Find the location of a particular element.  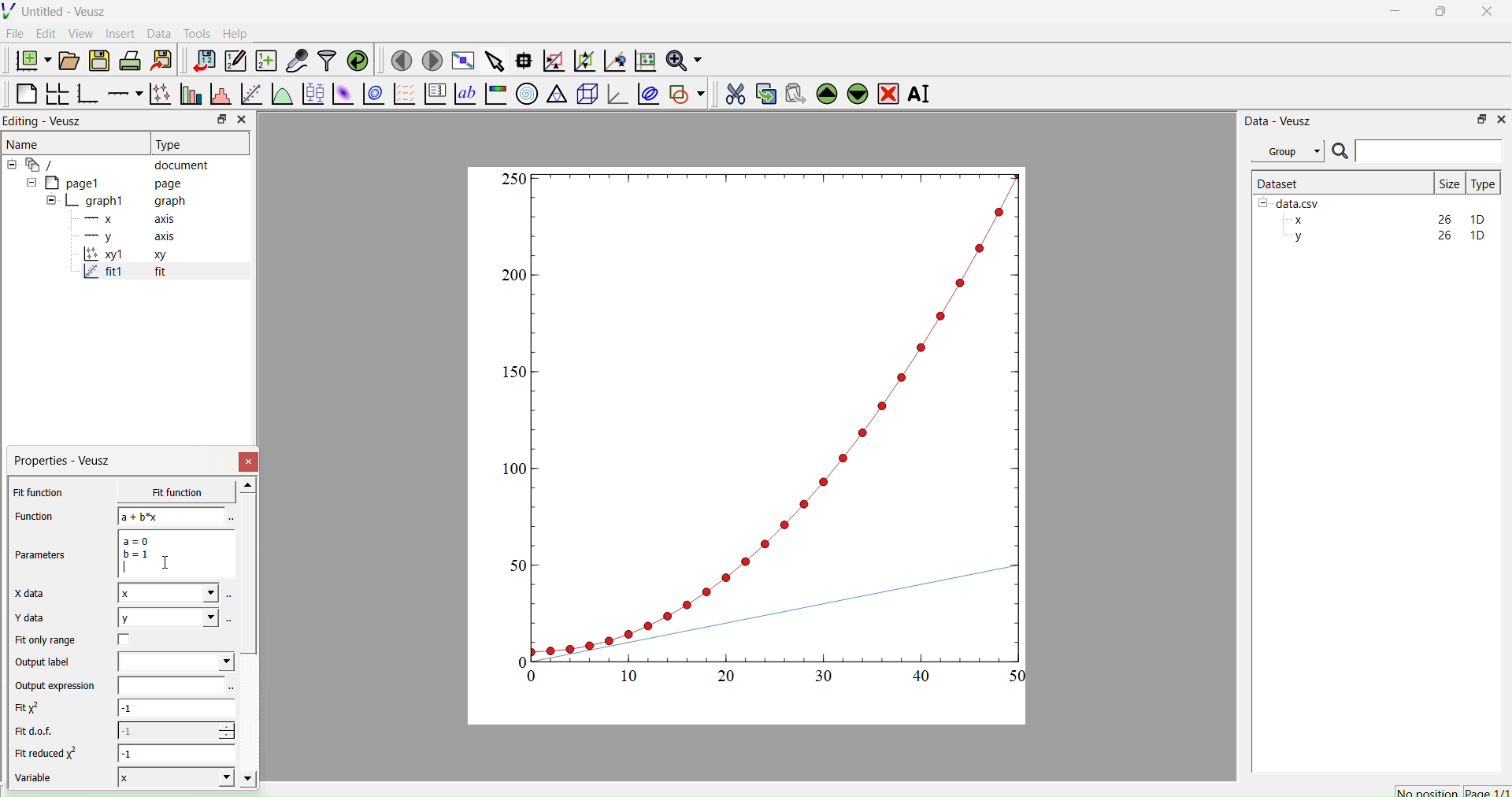

Plot Vector Field is located at coordinates (404, 95).